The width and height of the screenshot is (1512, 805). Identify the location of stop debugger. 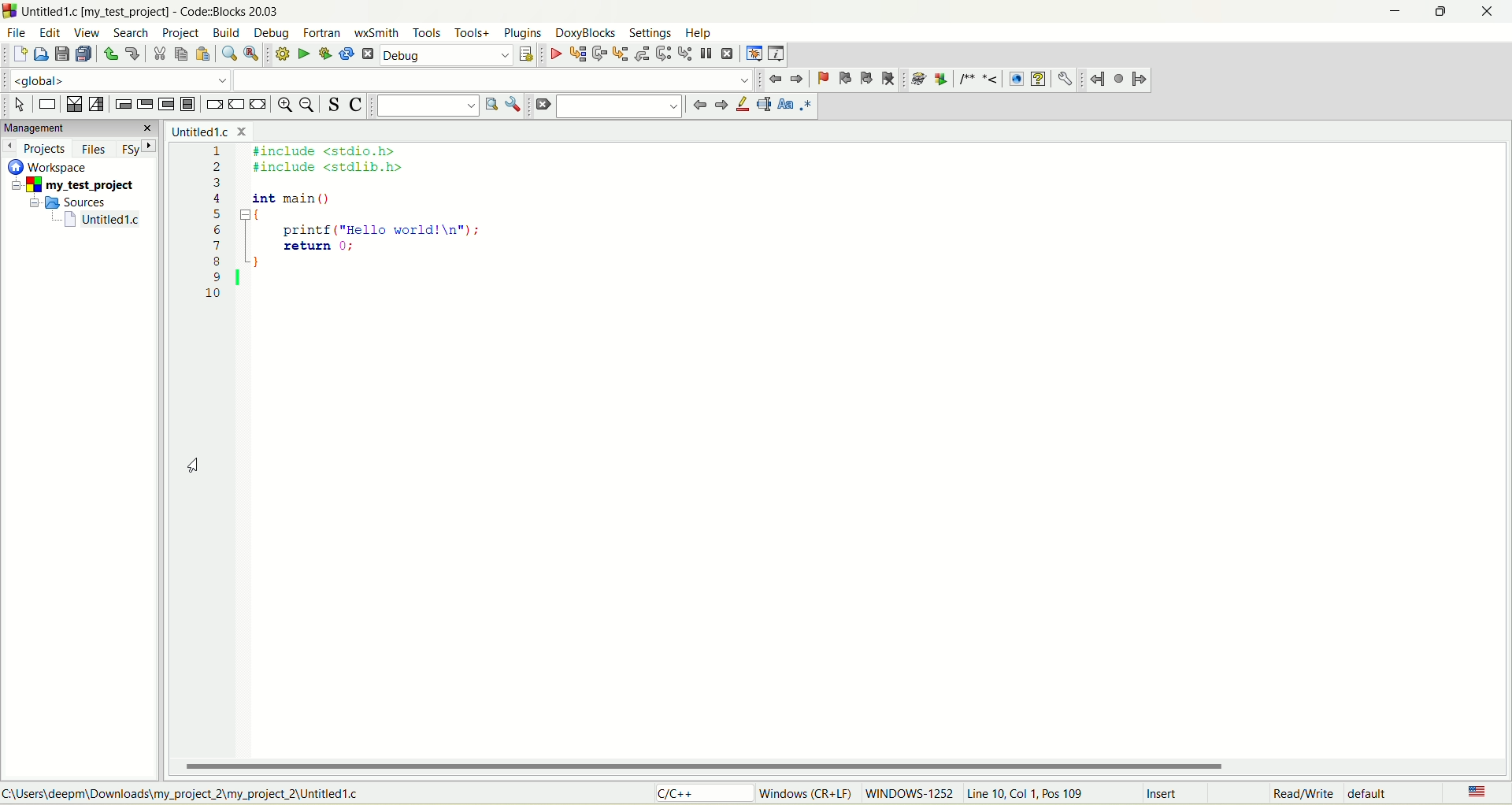
(730, 54).